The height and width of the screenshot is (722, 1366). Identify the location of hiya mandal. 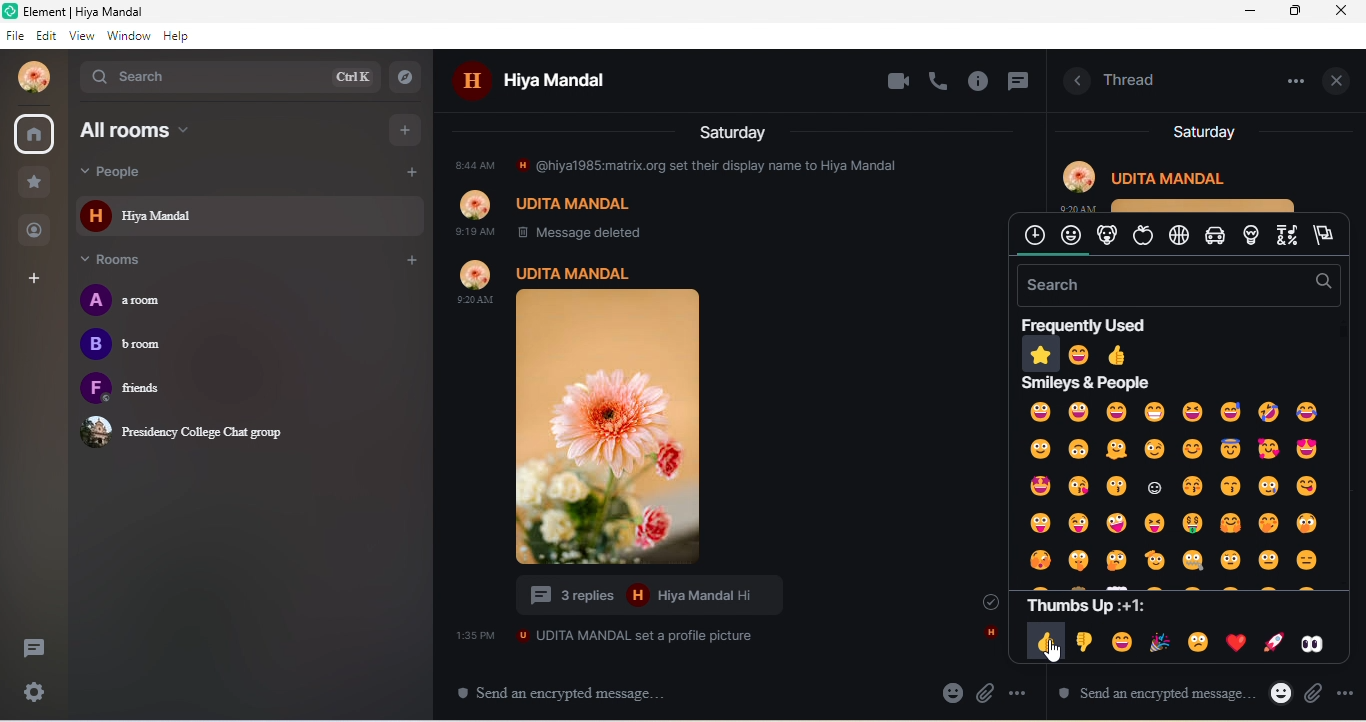
(551, 83).